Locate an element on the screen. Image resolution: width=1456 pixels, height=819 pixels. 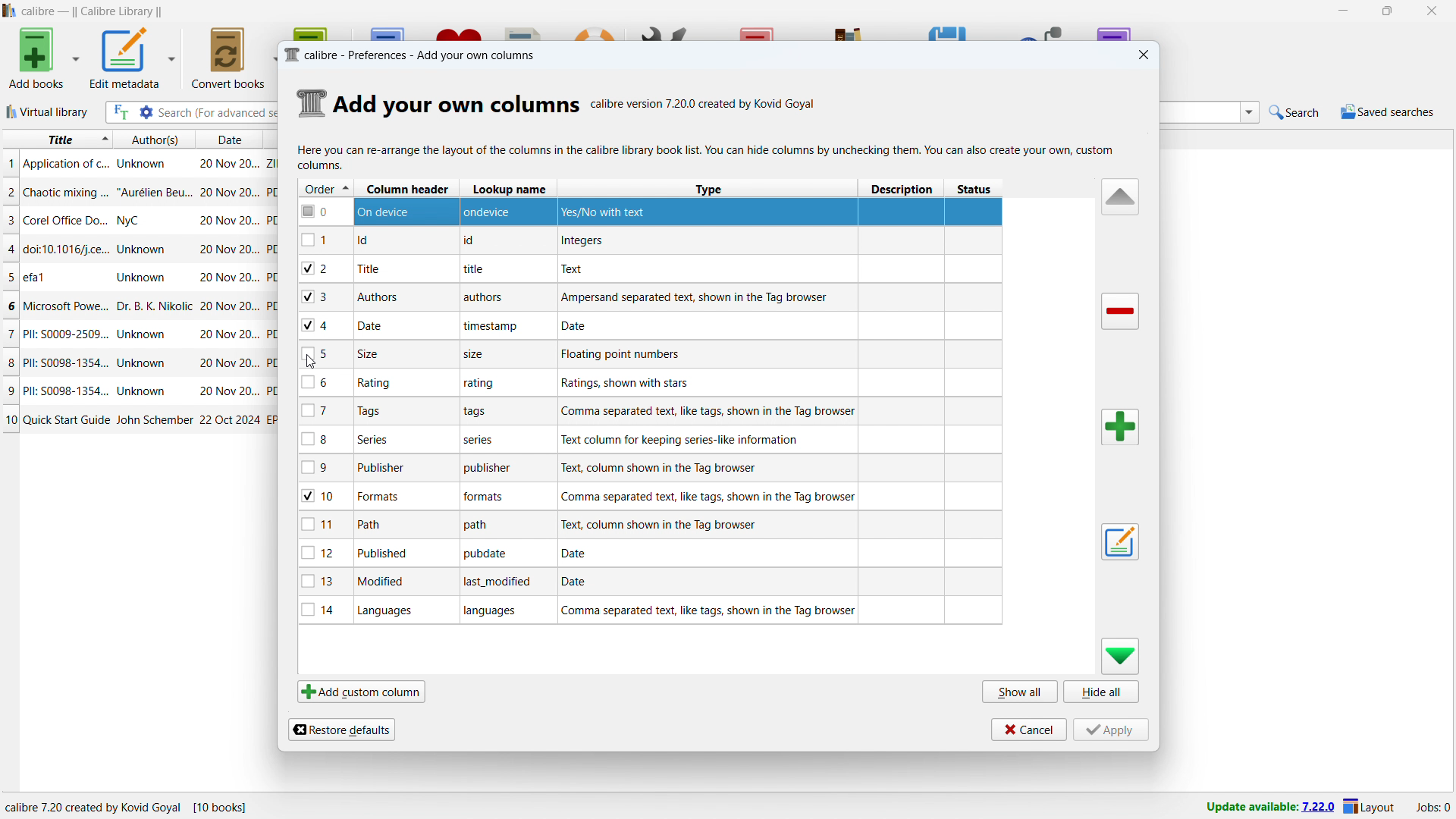
title is located at coordinates (92, 11).